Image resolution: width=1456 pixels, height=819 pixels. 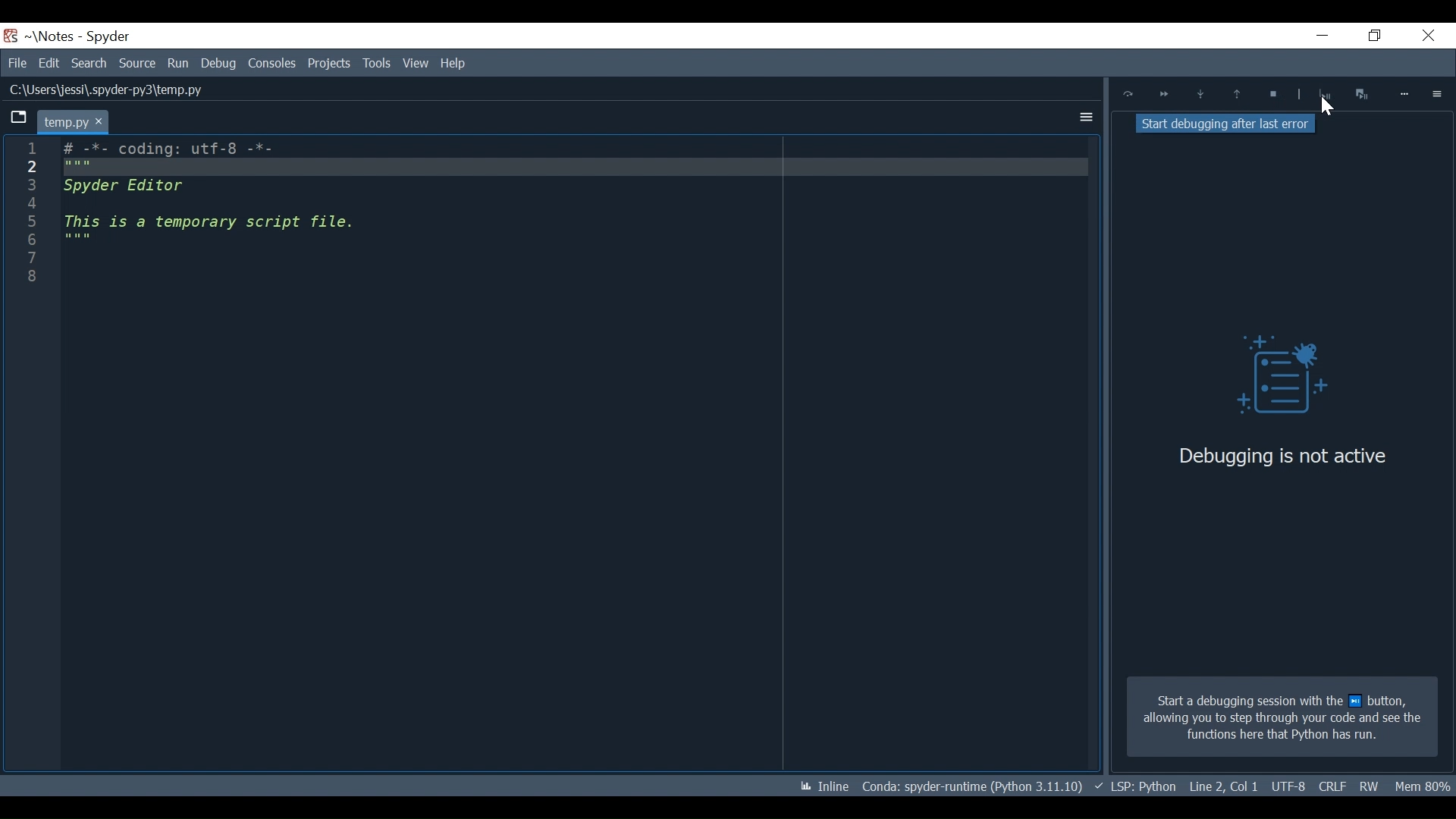 What do you see at coordinates (1405, 94) in the screenshot?
I see `More` at bounding box center [1405, 94].